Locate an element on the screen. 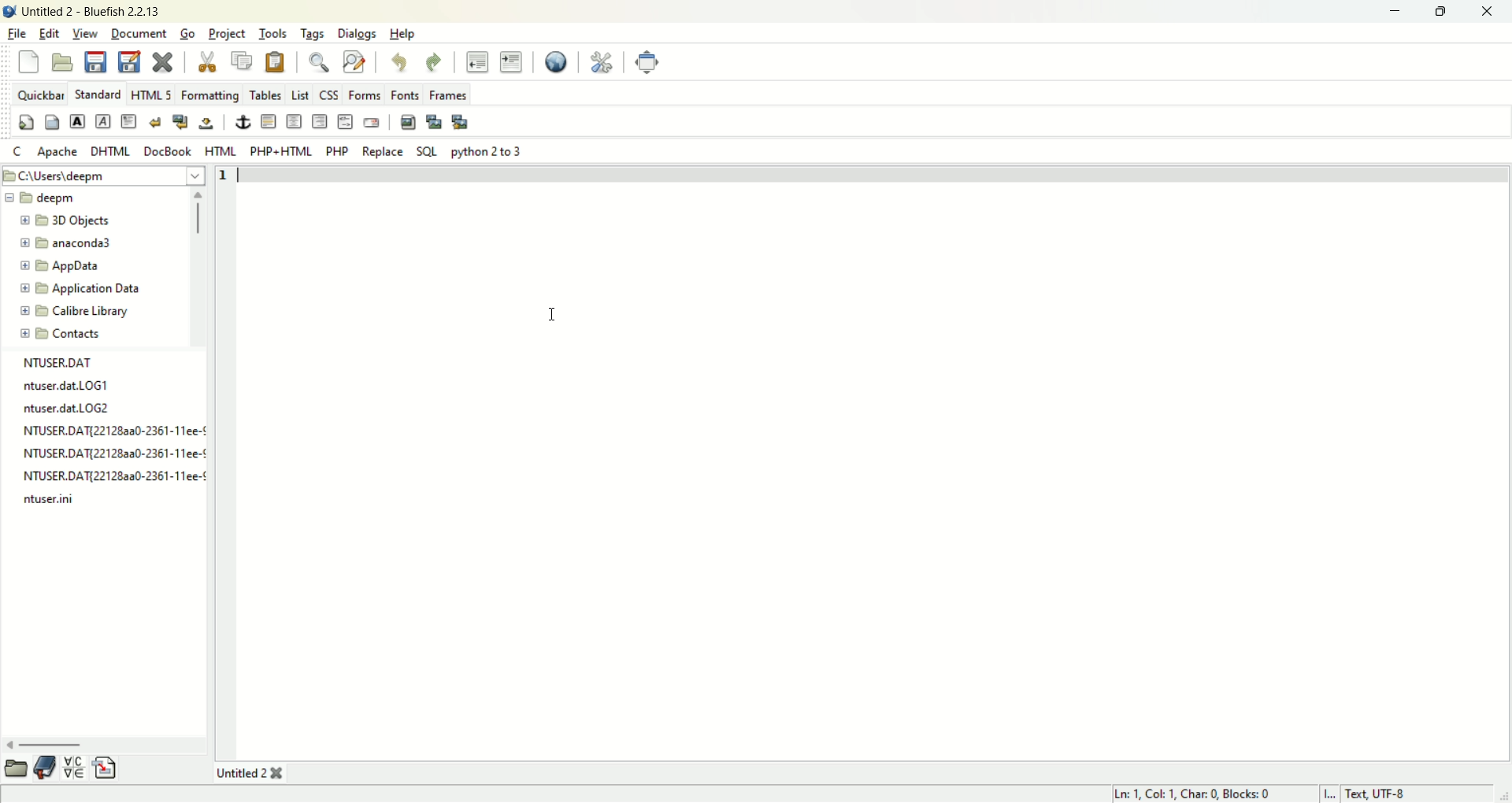  break and clear is located at coordinates (183, 120).